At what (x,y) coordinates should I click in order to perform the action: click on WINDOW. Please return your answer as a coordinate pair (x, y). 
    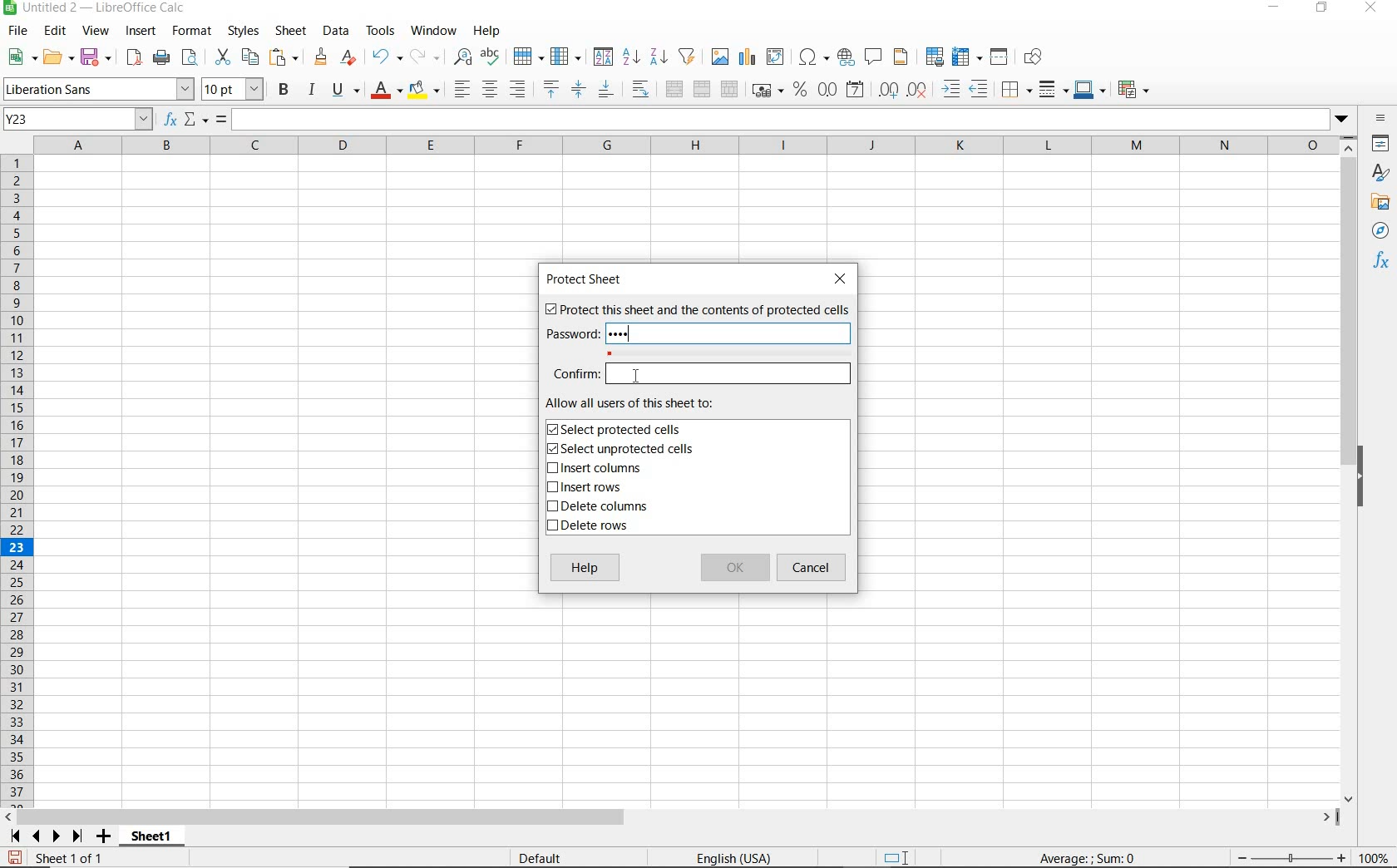
    Looking at the image, I should click on (433, 31).